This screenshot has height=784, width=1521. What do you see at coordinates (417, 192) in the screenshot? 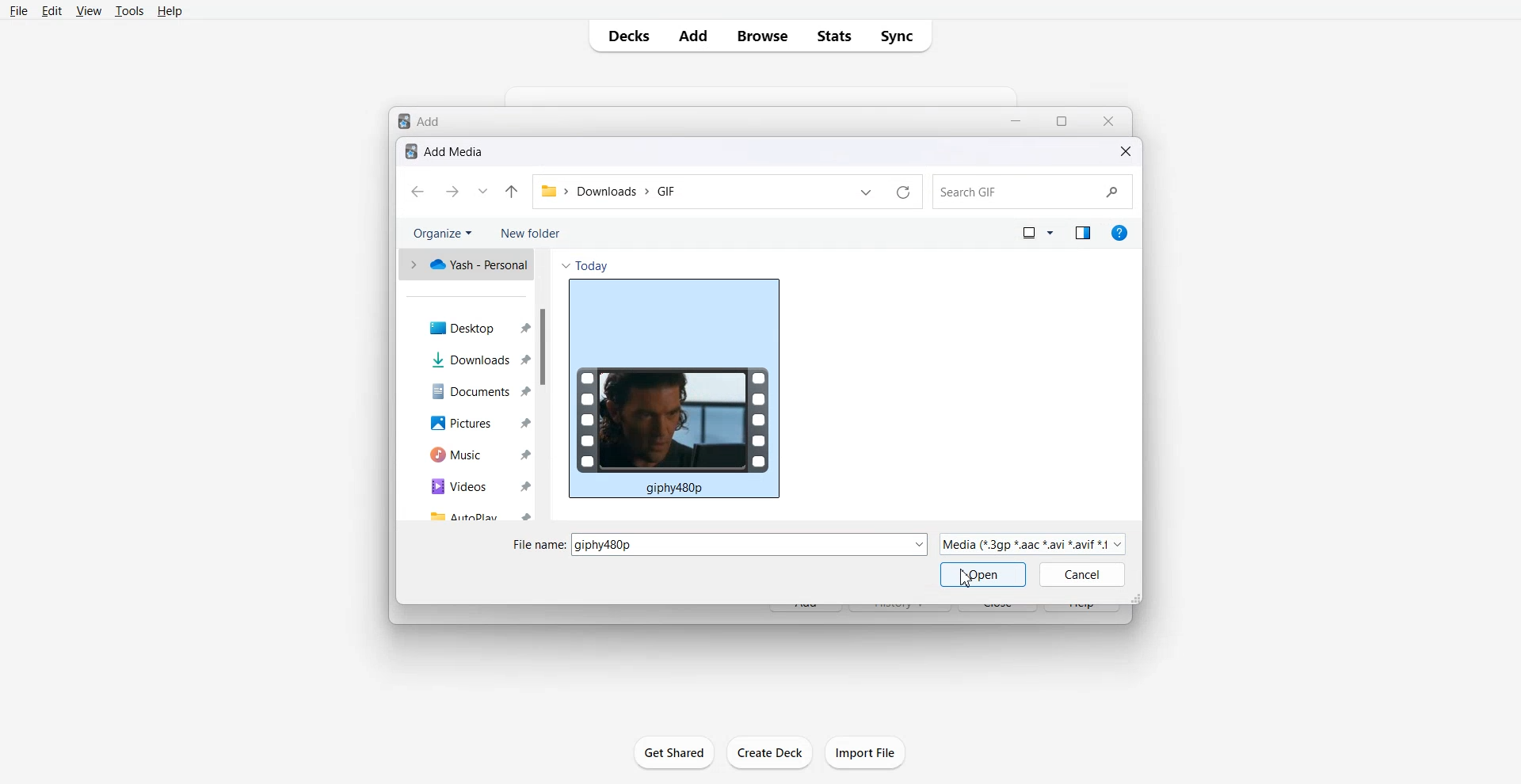
I see `Go back` at bounding box center [417, 192].